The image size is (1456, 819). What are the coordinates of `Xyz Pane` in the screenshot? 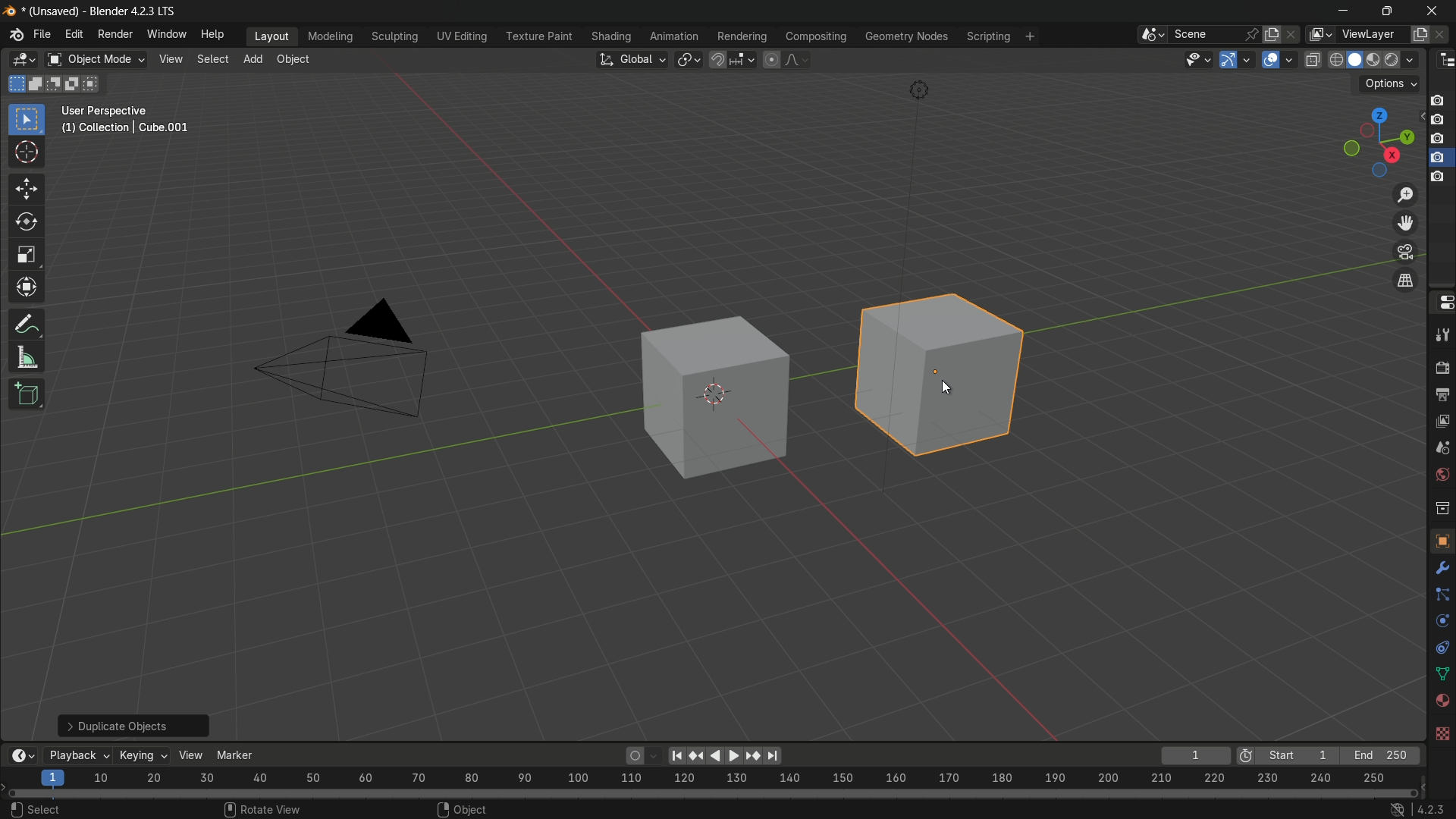 It's located at (278, 807).